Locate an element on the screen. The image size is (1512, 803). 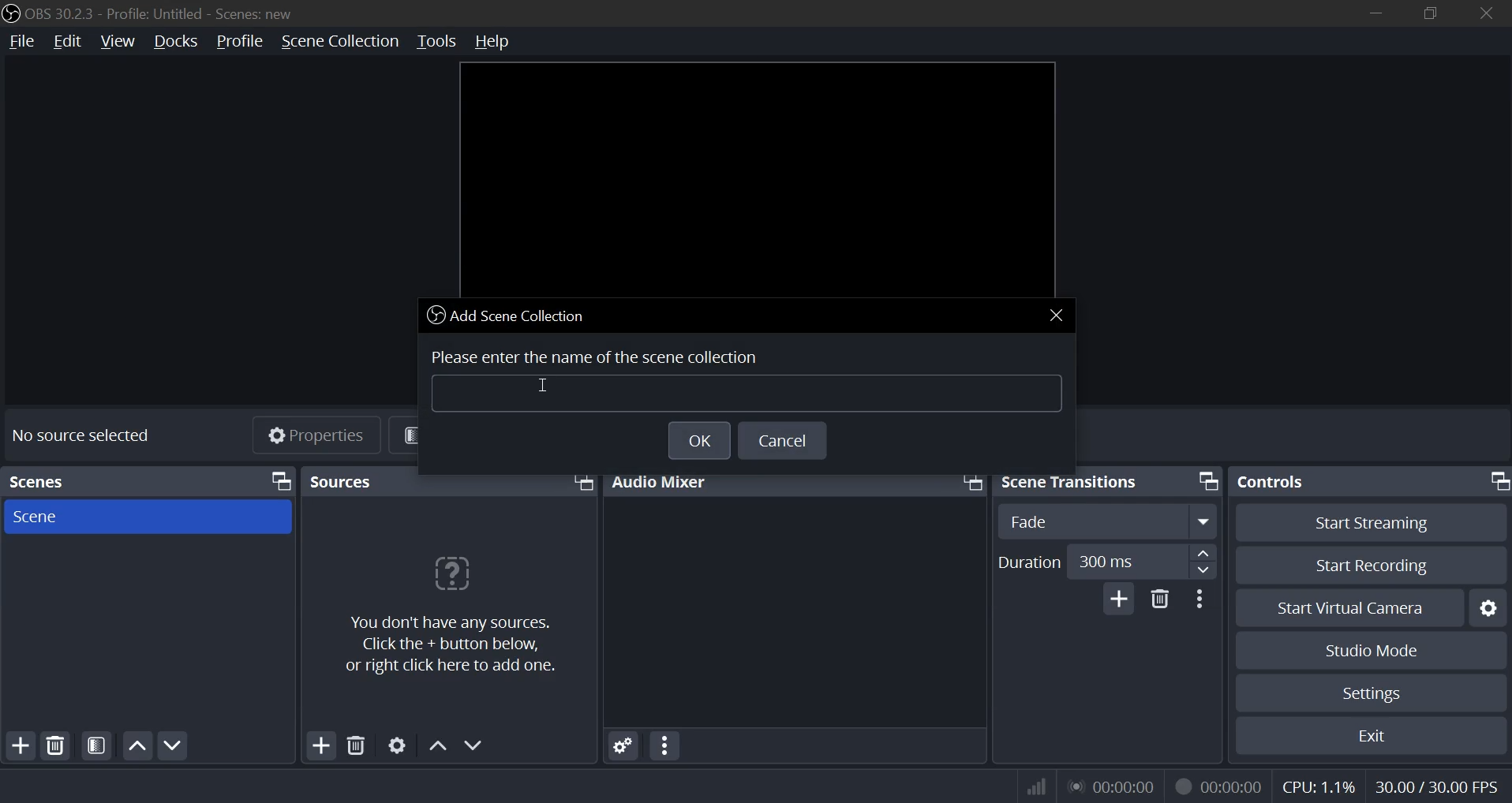
delete is located at coordinates (1160, 602).